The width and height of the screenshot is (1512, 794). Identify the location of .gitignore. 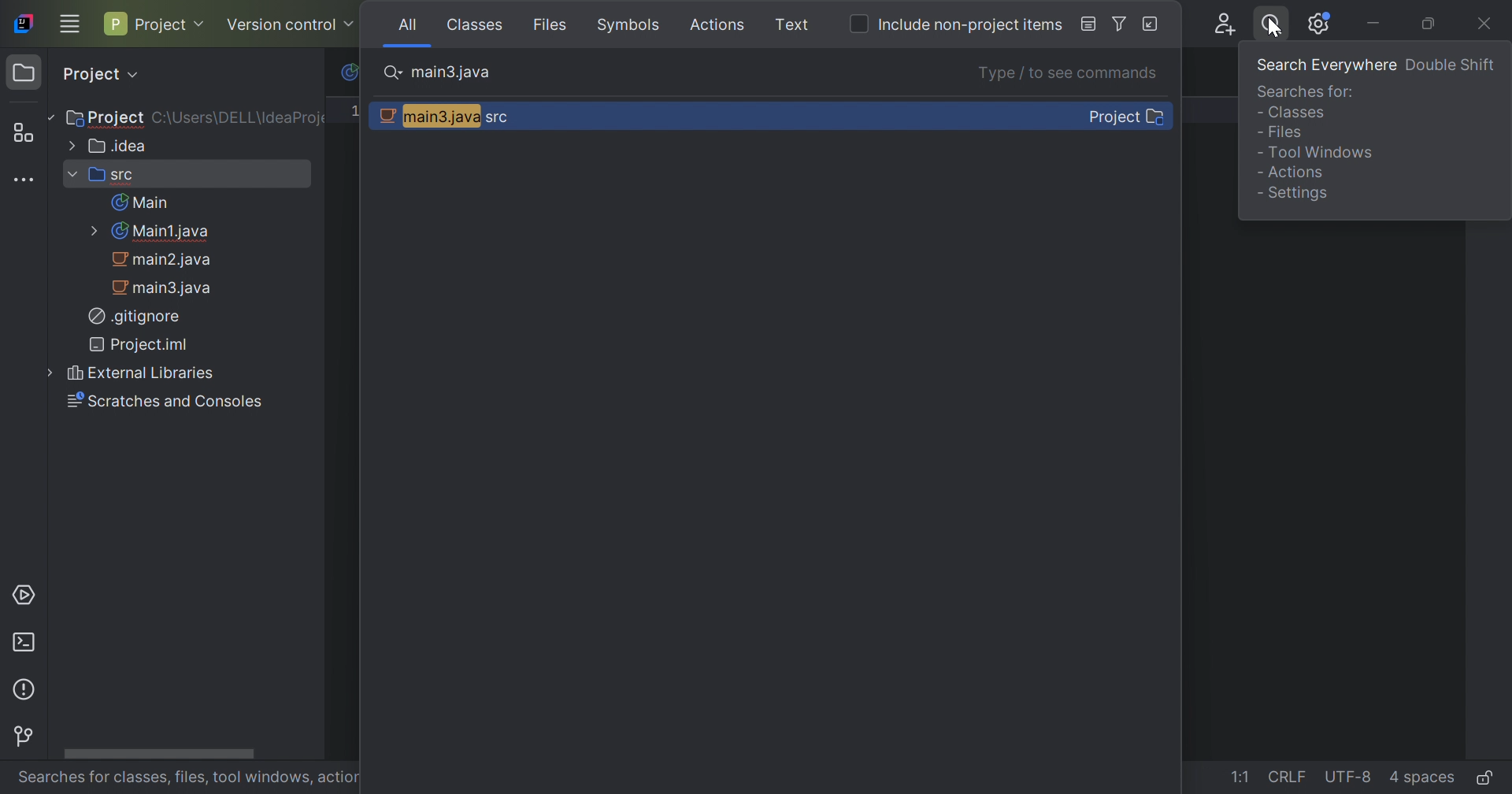
(133, 315).